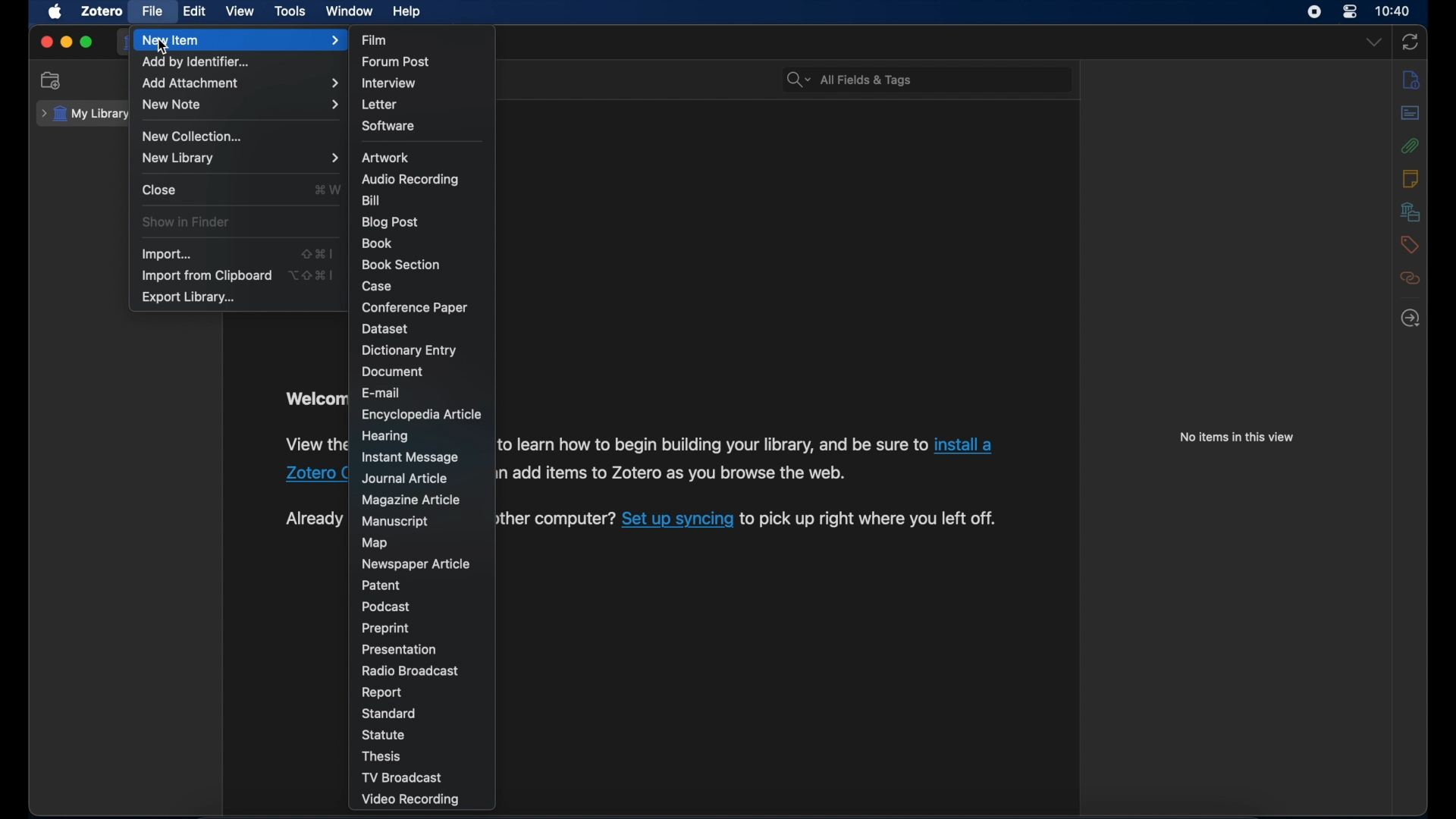  Describe the element at coordinates (1410, 113) in the screenshot. I see `abstract` at that location.